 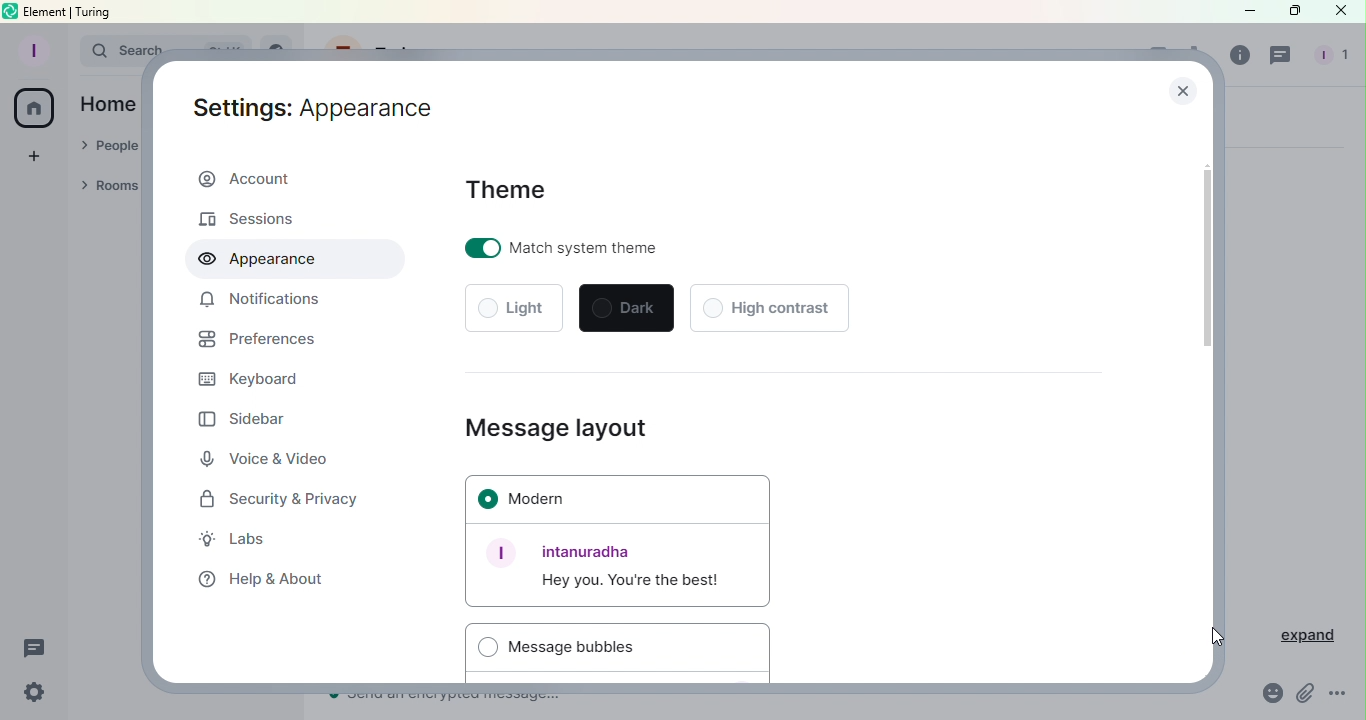 What do you see at coordinates (768, 306) in the screenshot?
I see `High contrast` at bounding box center [768, 306].